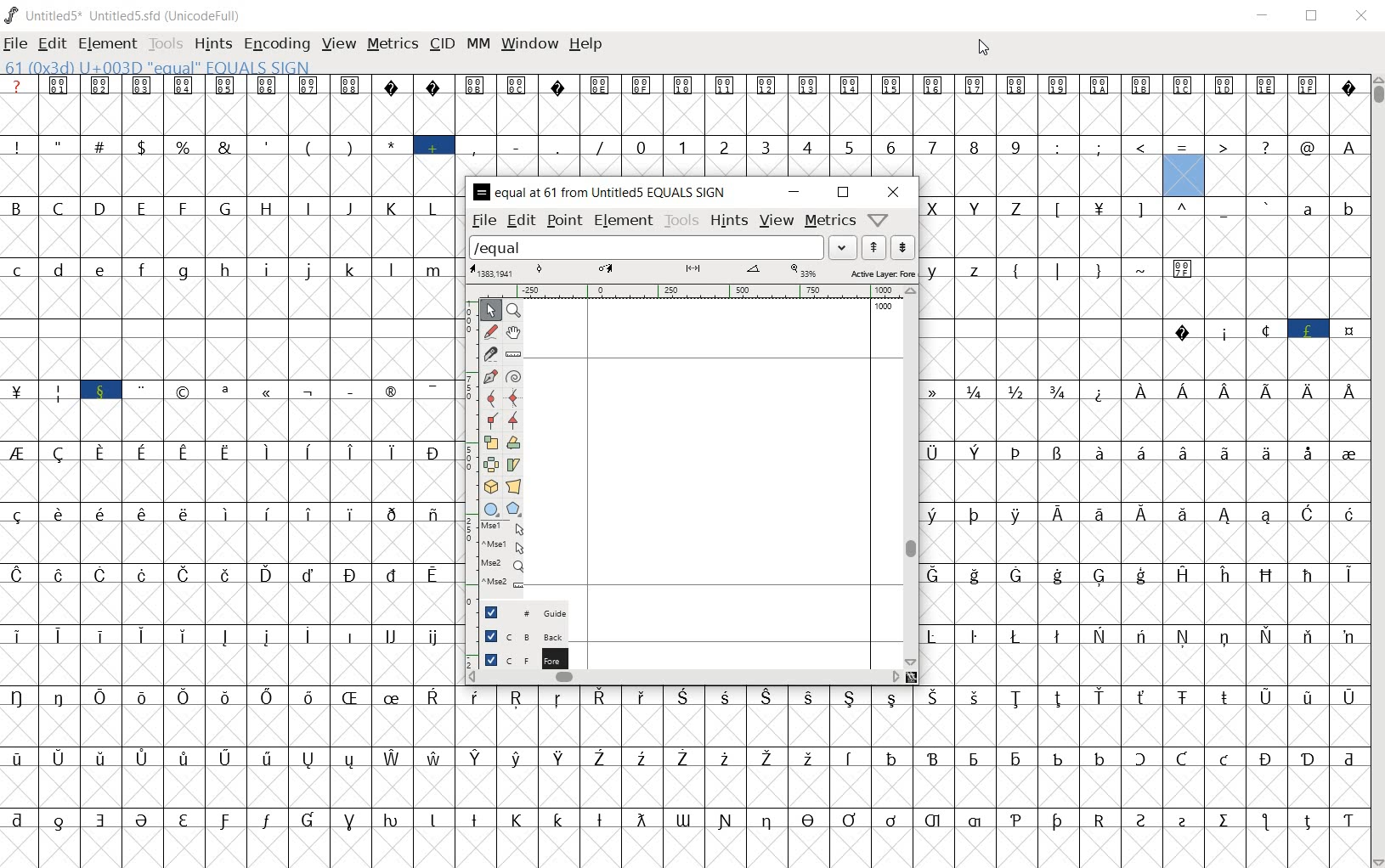 Image resolution: width=1385 pixels, height=868 pixels. What do you see at coordinates (520, 221) in the screenshot?
I see `edit` at bounding box center [520, 221].